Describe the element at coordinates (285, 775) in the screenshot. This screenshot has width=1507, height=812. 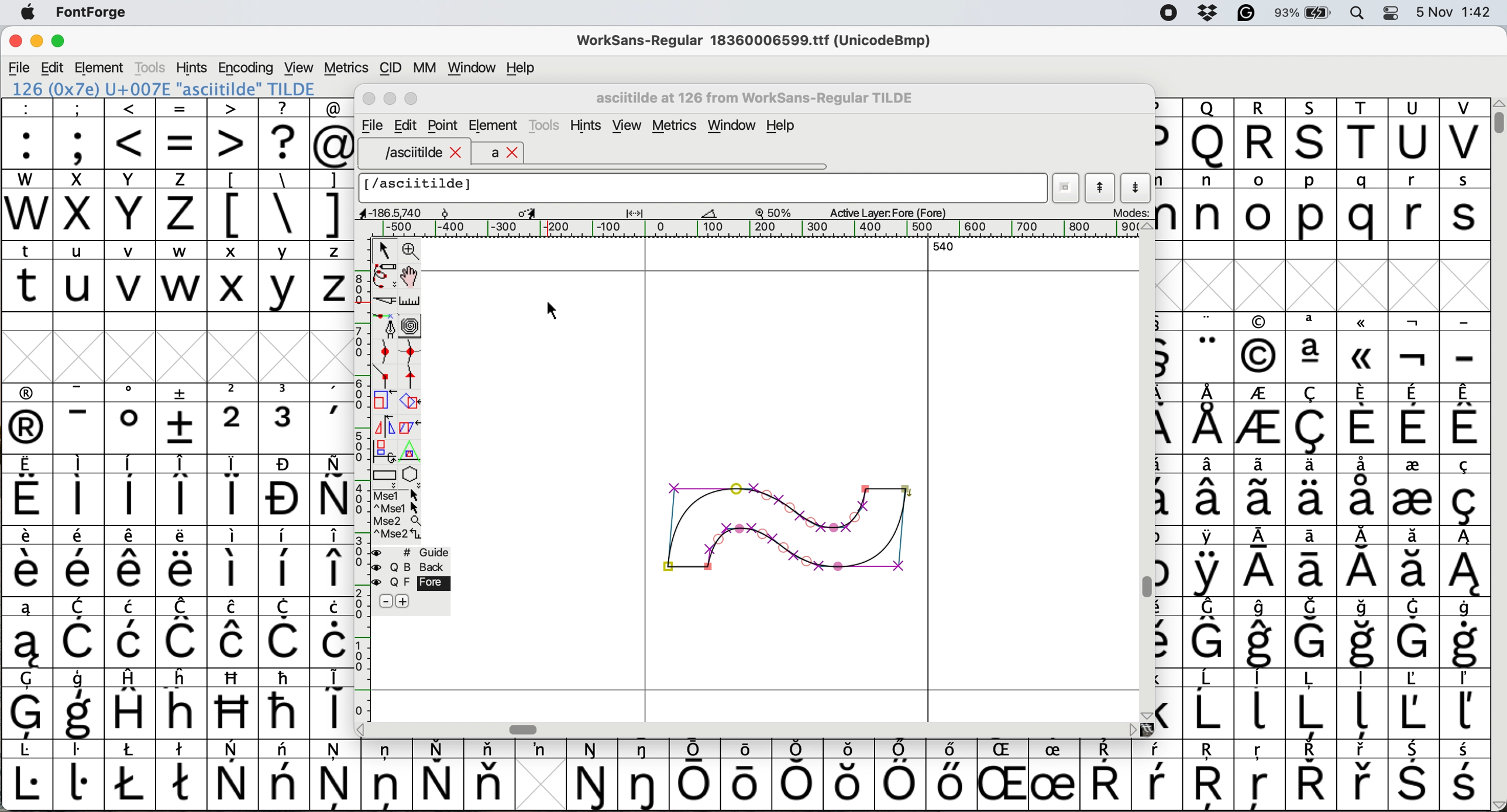
I see `symbol` at that location.